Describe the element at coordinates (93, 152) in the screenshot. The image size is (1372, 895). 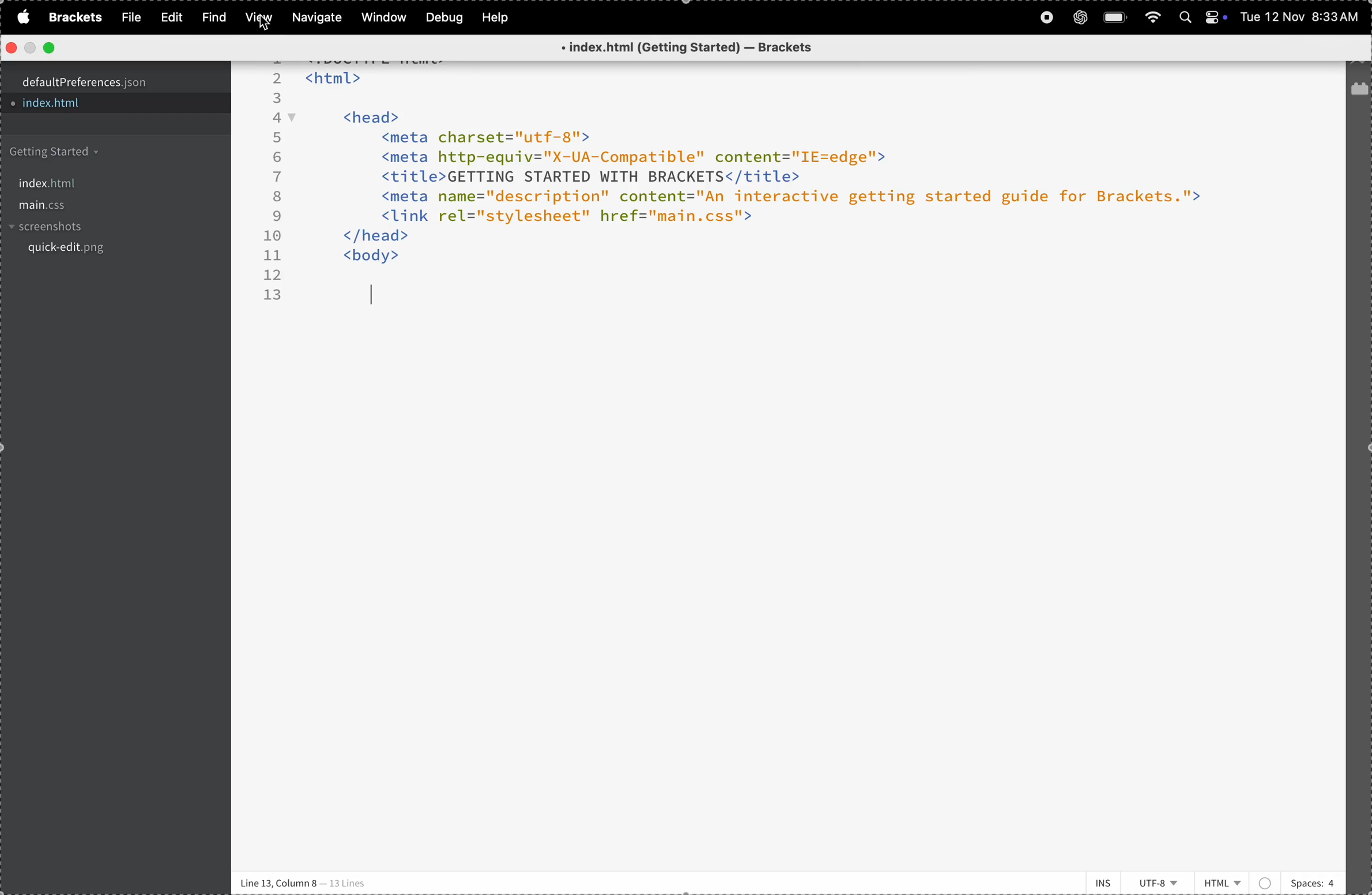
I see `getting started` at that location.